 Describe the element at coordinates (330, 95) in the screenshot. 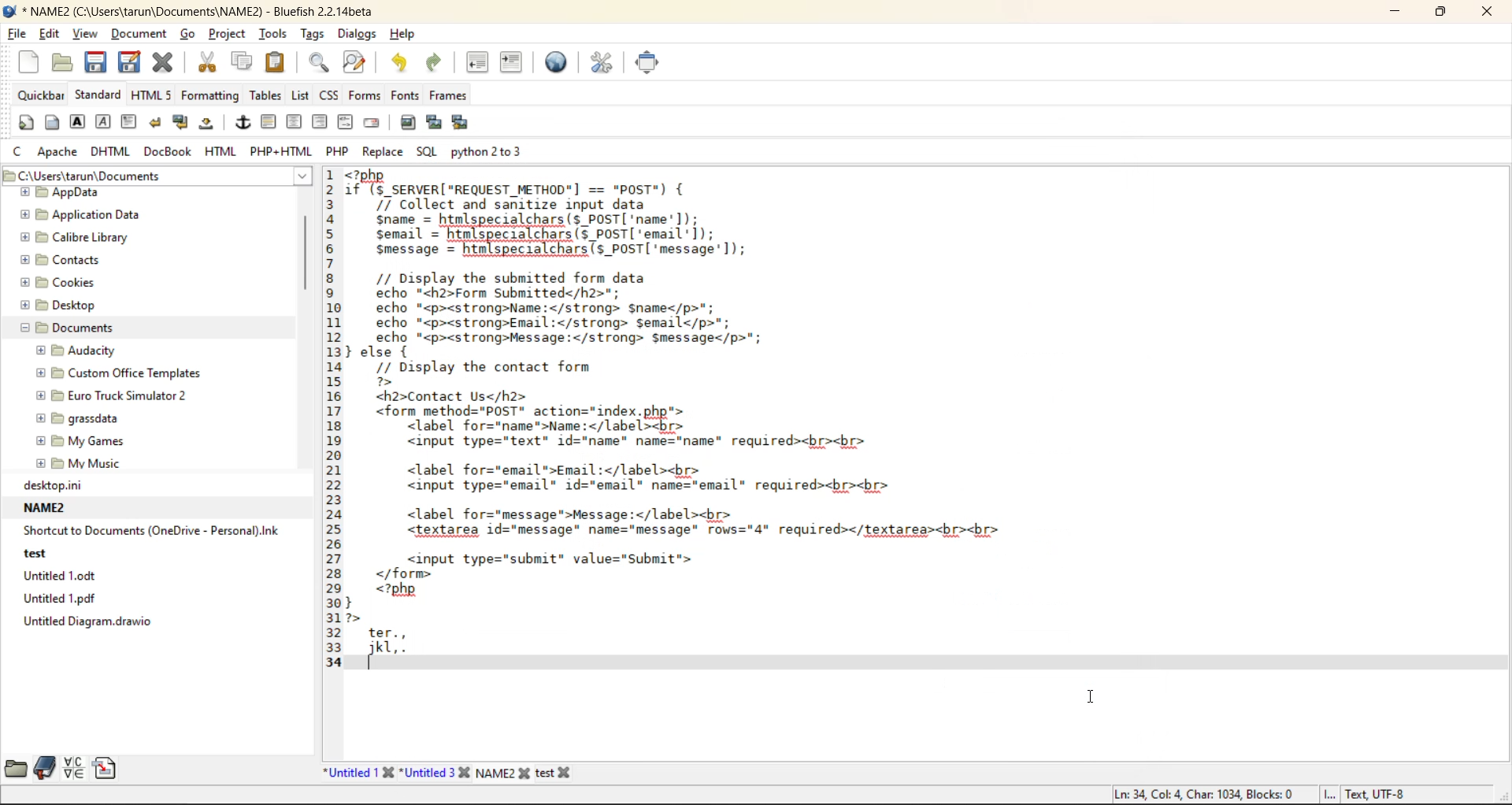

I see `css` at that location.